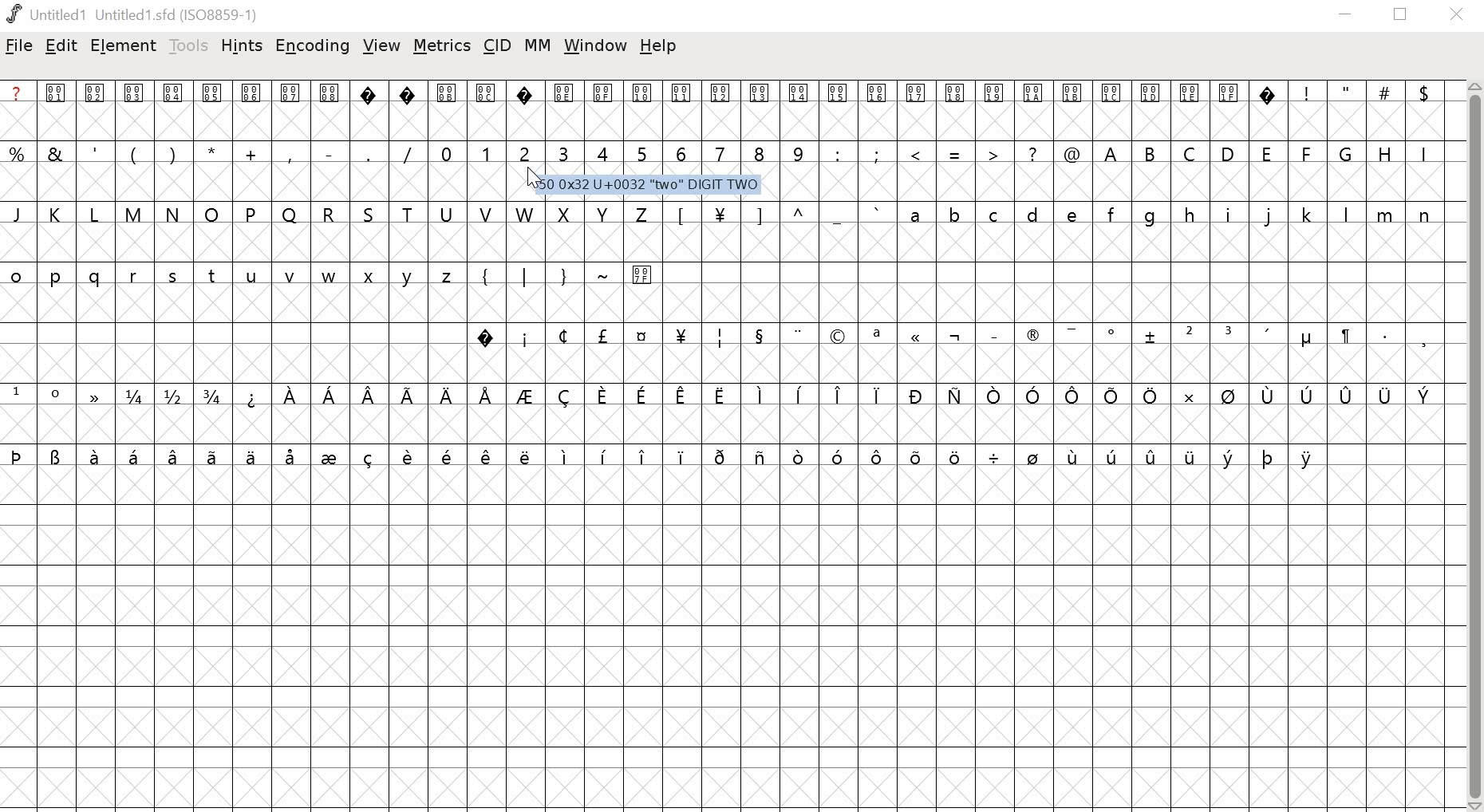 The image size is (1484, 812). Describe the element at coordinates (535, 47) in the screenshot. I see `MM` at that location.